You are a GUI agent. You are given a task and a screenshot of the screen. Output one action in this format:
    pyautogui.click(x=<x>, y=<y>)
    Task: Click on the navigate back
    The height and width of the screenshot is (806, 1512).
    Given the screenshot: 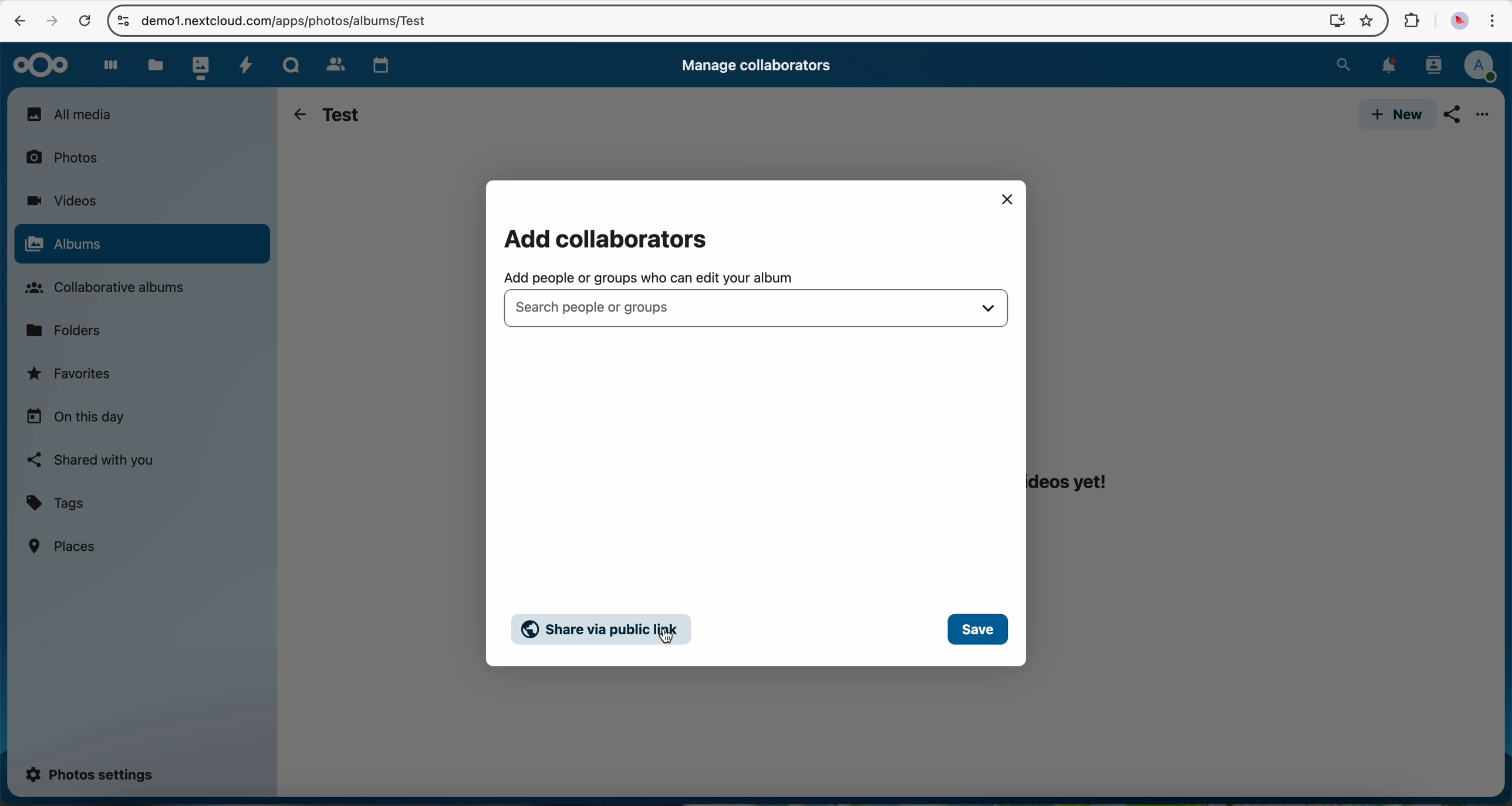 What is the action you would take?
    pyautogui.click(x=15, y=19)
    